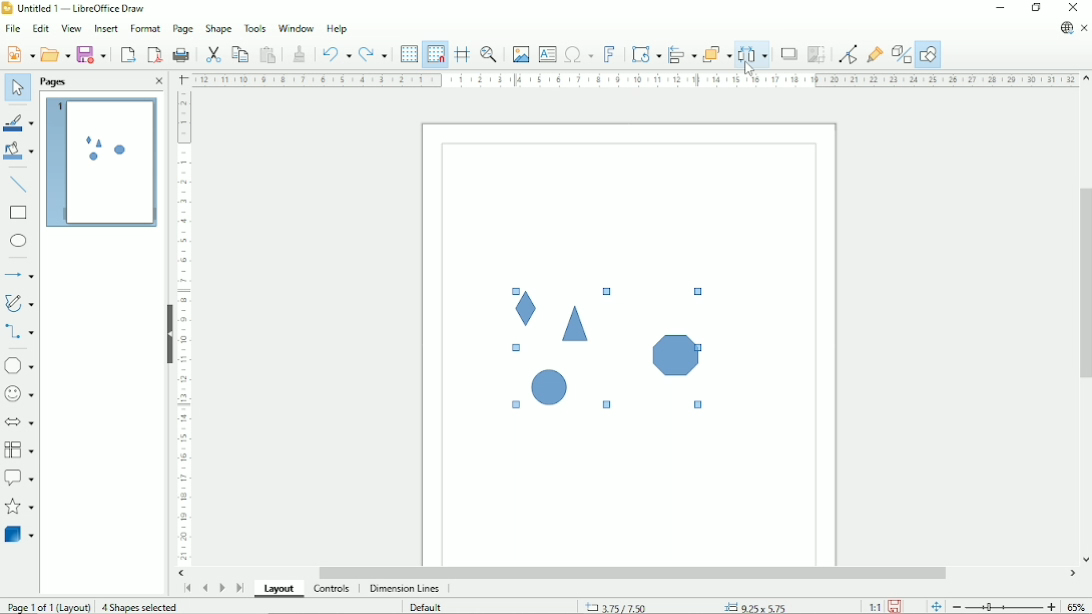 This screenshot has width=1092, height=614. I want to click on Distribute, so click(752, 53).